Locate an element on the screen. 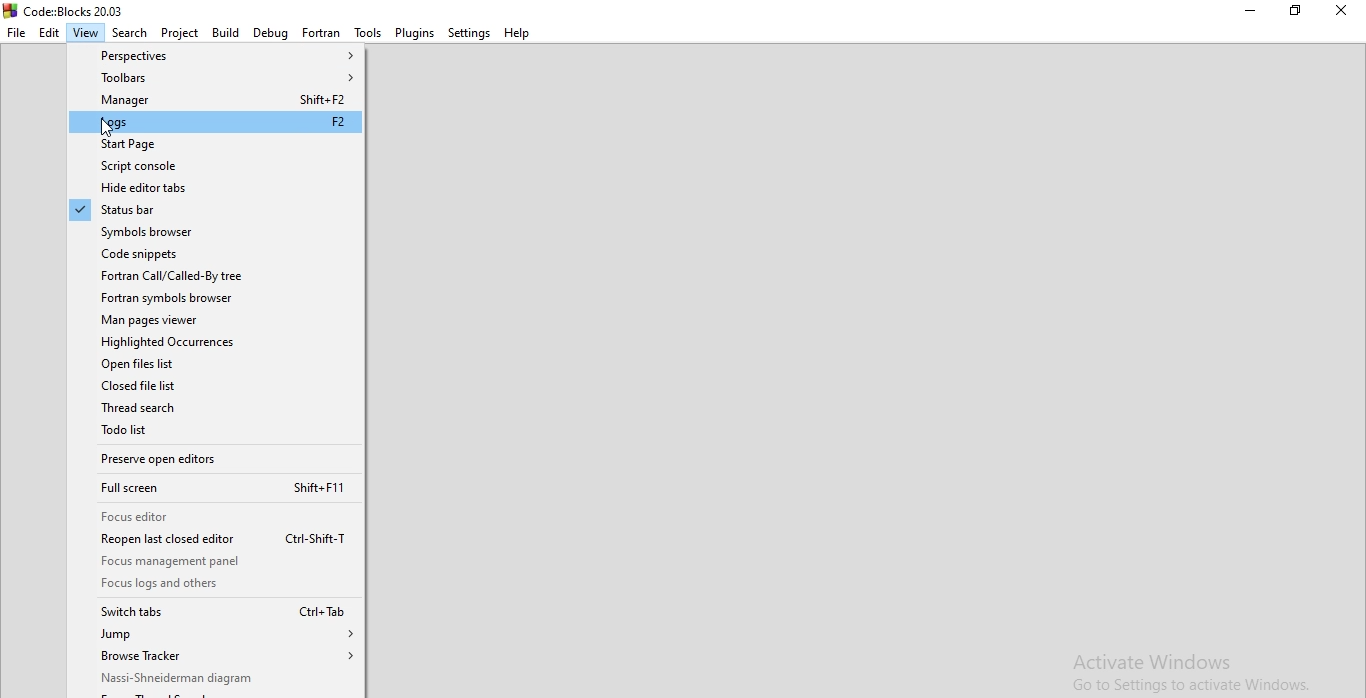 Image resolution: width=1366 pixels, height=698 pixels. Symbols browser is located at coordinates (216, 232).